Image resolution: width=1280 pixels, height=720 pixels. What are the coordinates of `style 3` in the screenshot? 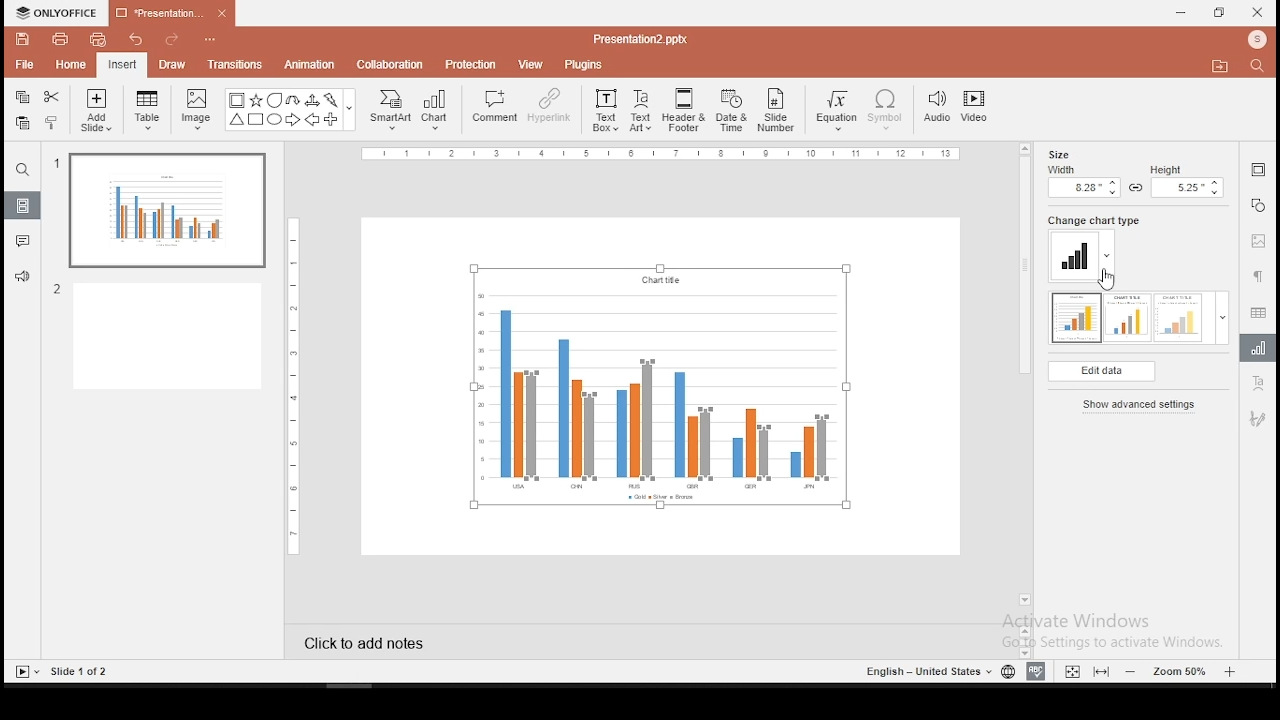 It's located at (1179, 317).